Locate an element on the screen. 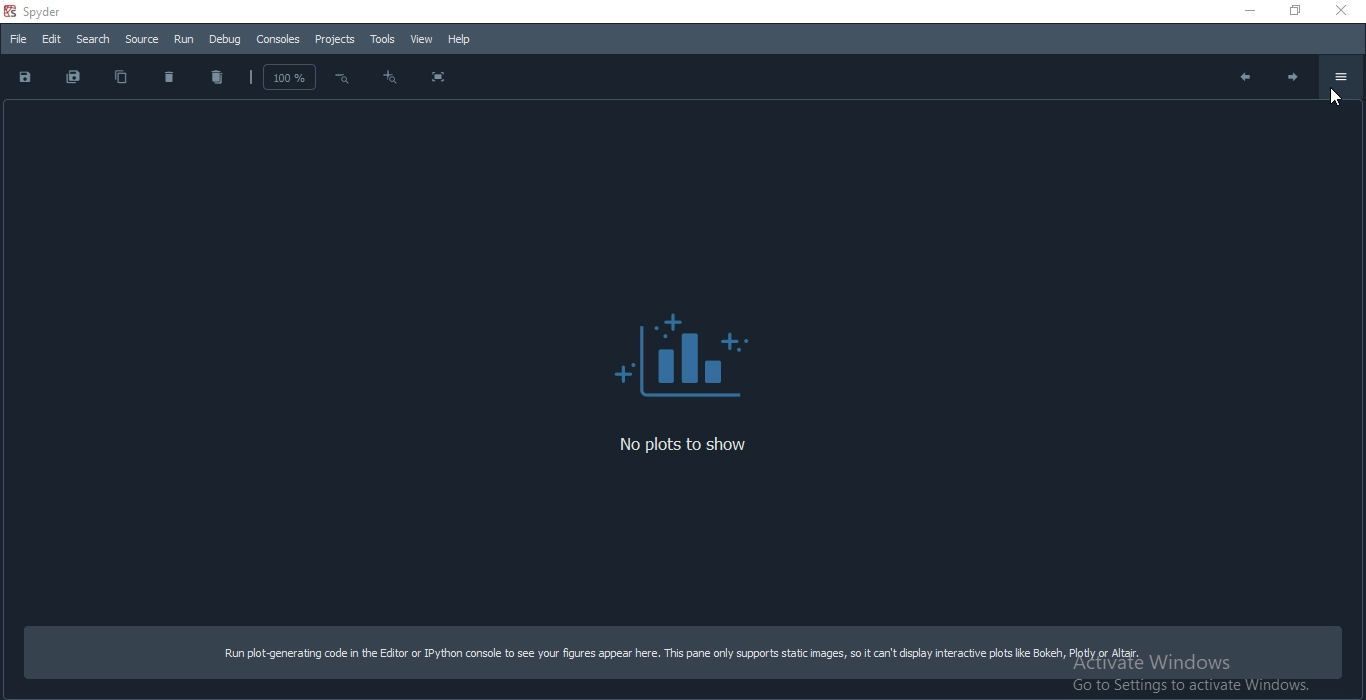 Image resolution: width=1366 pixels, height=700 pixels. View is located at coordinates (419, 40).